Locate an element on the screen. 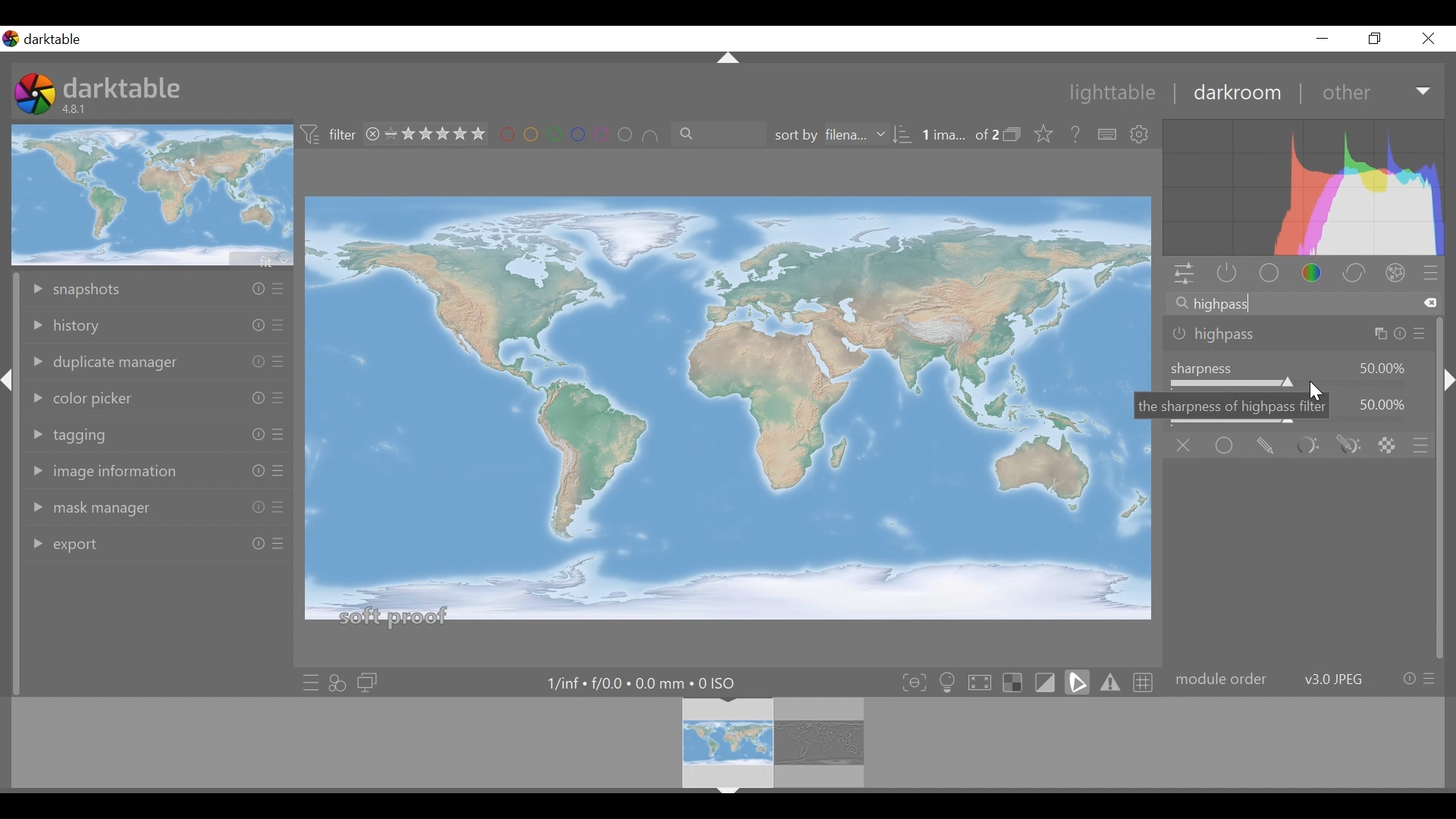 This screenshot has width=1456, height=819. close is located at coordinates (371, 134).